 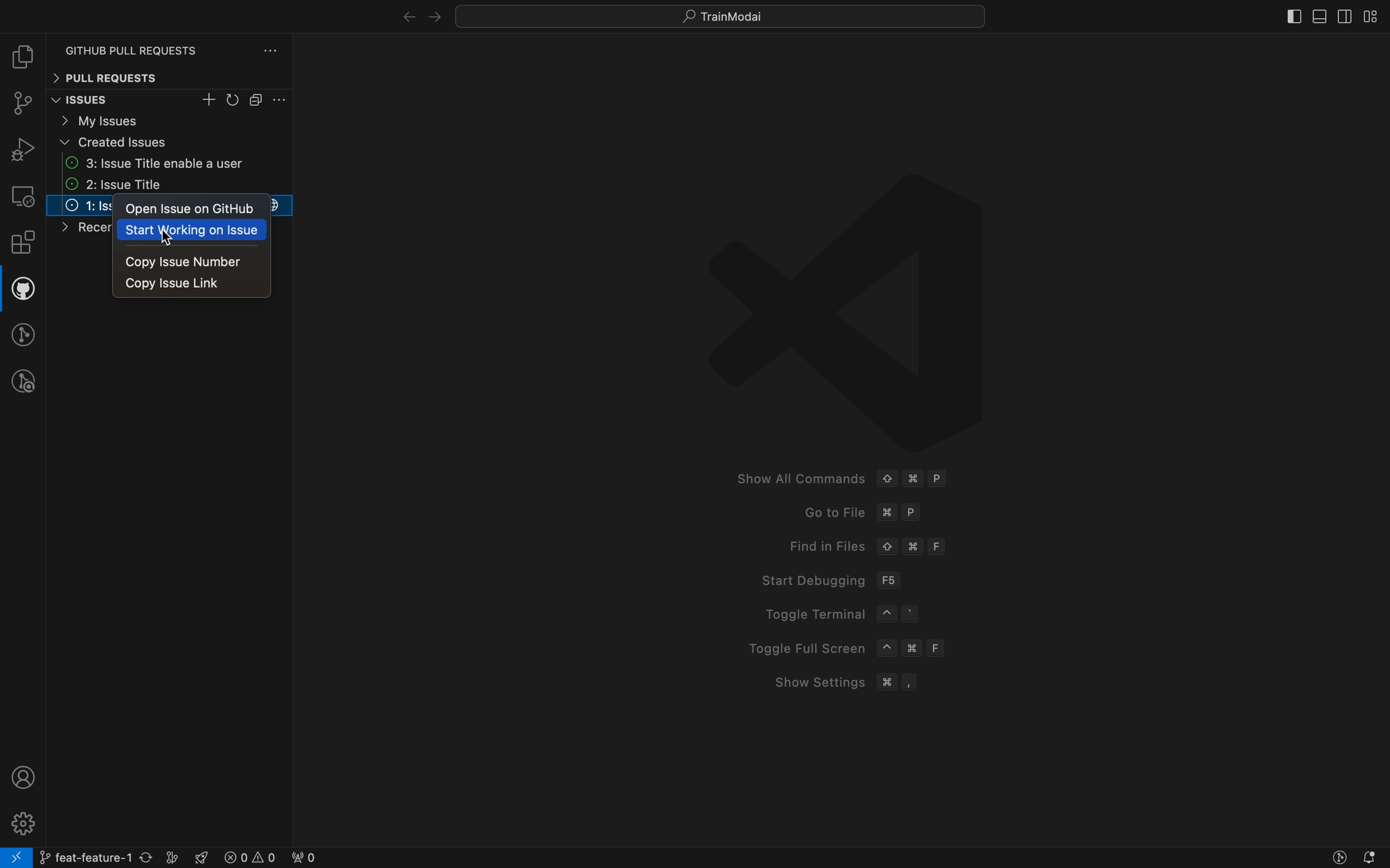 I want to click on toggle secondary bar, so click(x=1342, y=17).